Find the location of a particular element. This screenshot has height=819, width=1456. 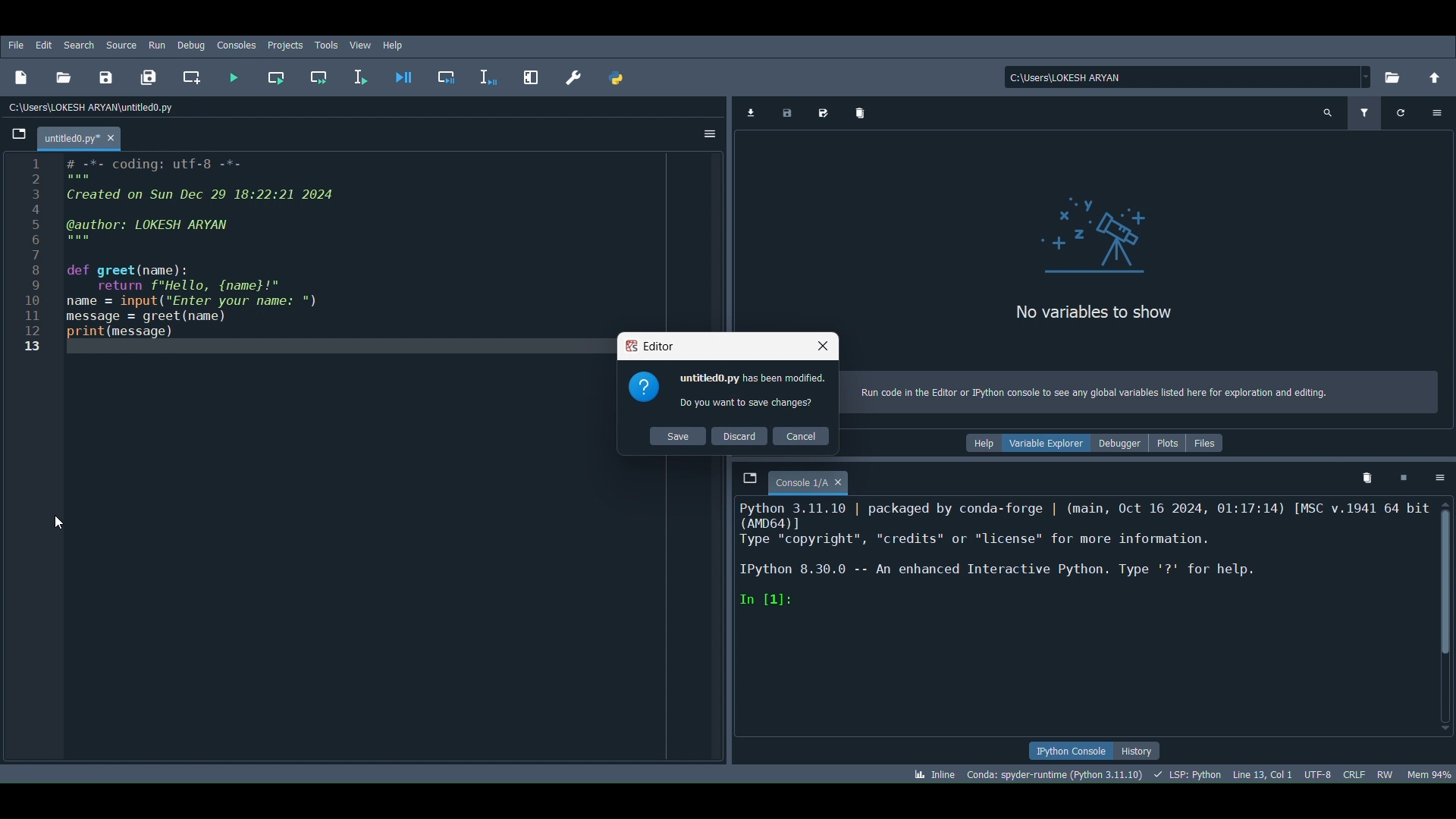

Close is located at coordinates (824, 344).